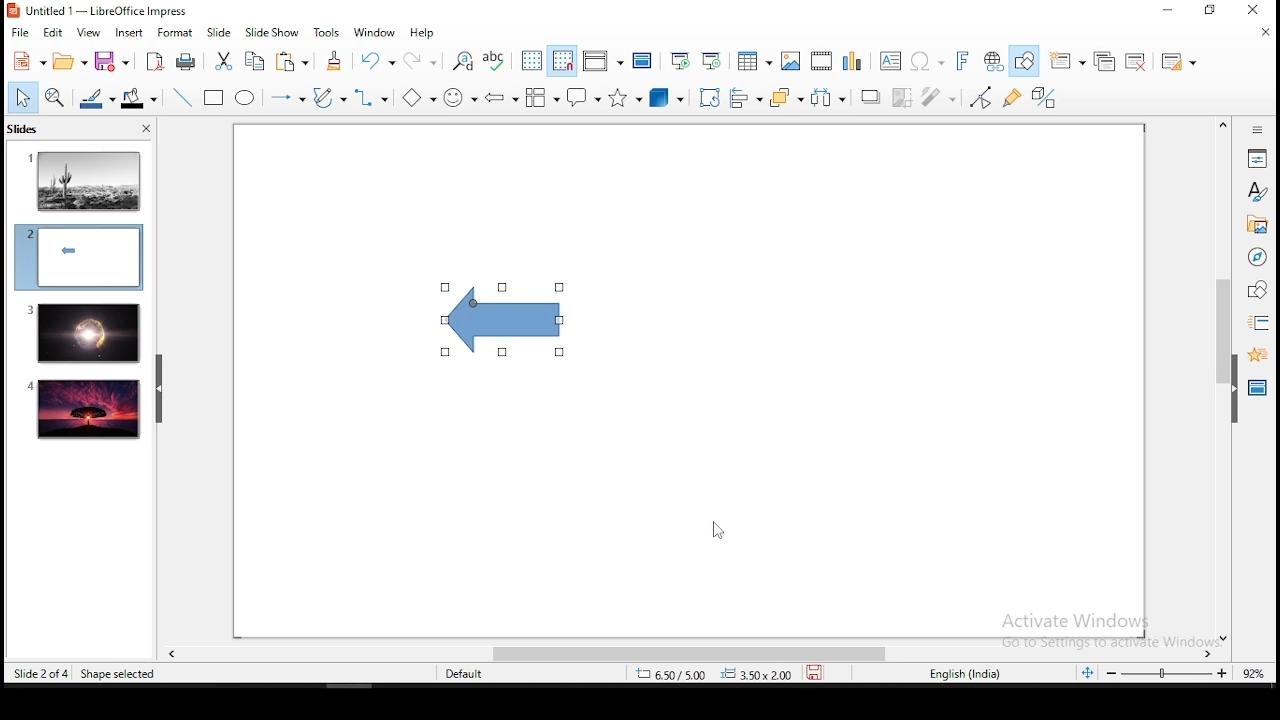  Describe the element at coordinates (85, 410) in the screenshot. I see `slide` at that location.